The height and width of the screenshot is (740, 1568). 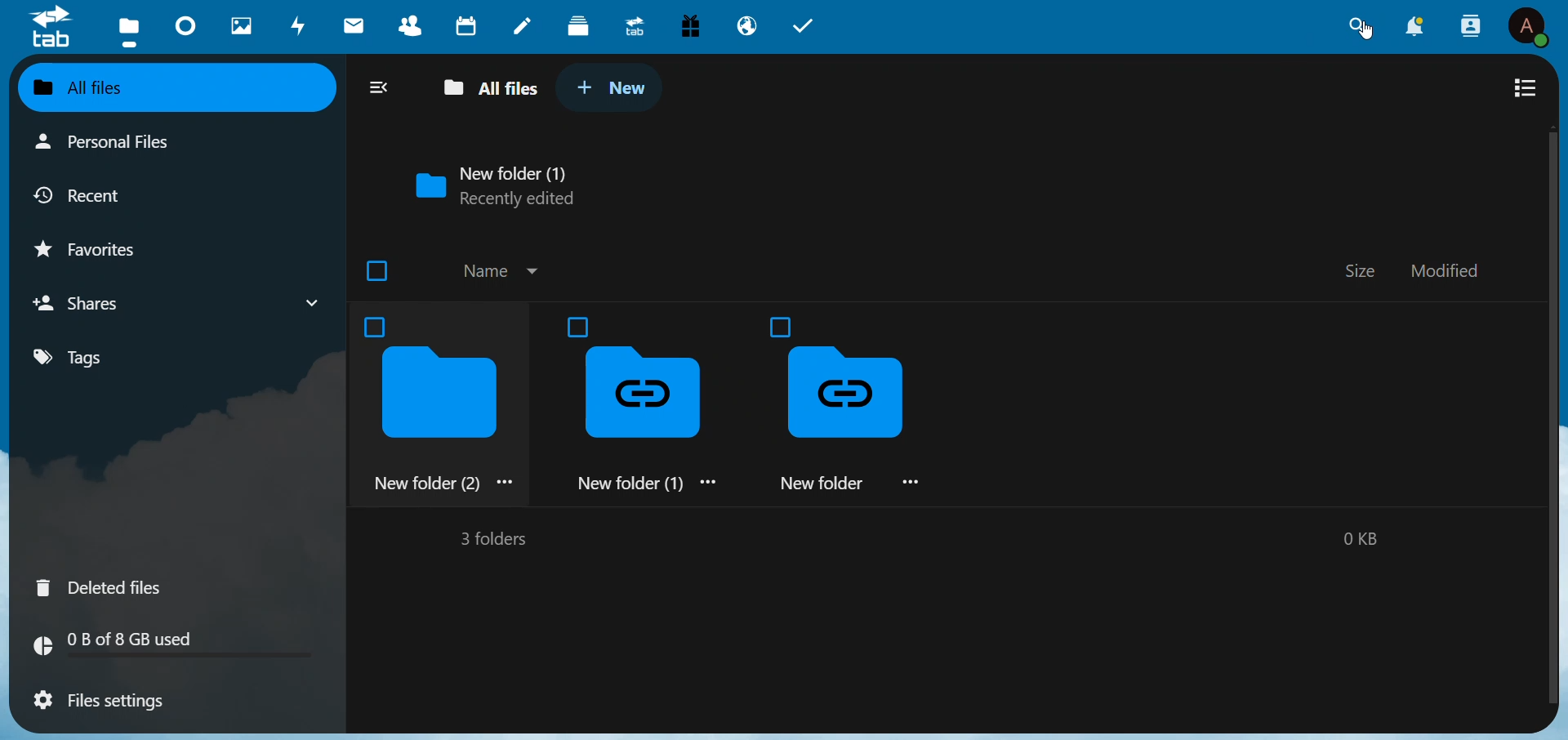 What do you see at coordinates (637, 25) in the screenshot?
I see `upgrade` at bounding box center [637, 25].